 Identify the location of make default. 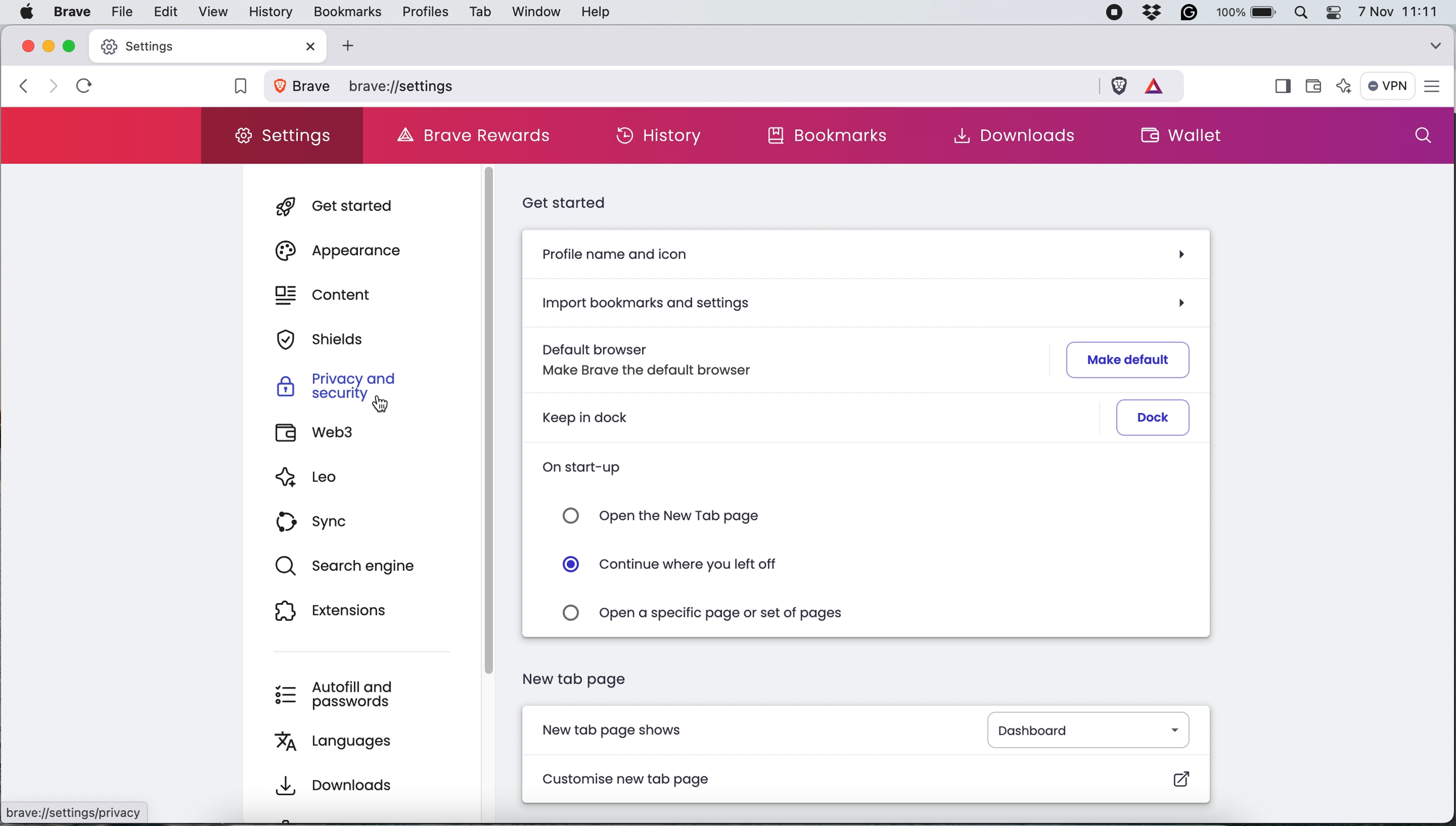
(1131, 359).